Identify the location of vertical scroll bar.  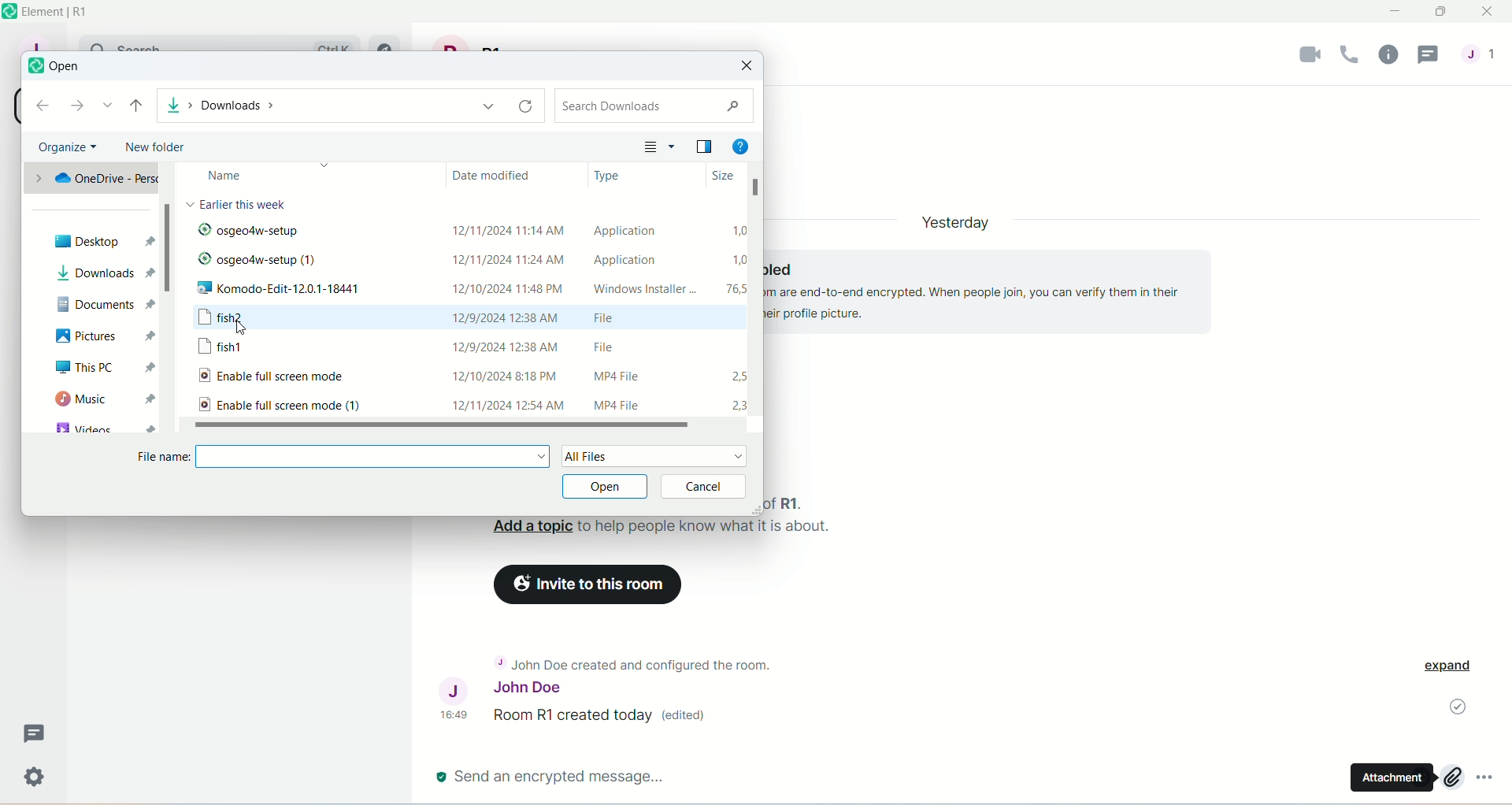
(754, 295).